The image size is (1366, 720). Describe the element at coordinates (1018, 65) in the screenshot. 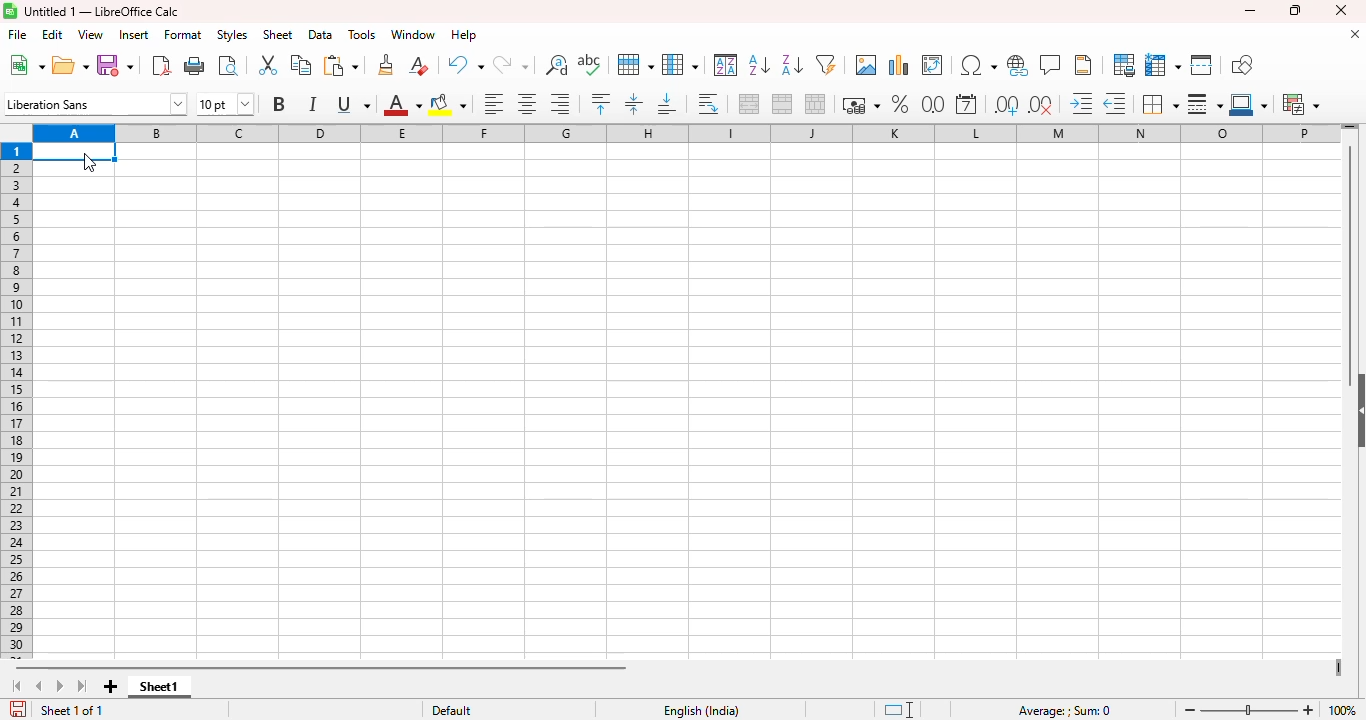

I see `insert hyperlink` at that location.